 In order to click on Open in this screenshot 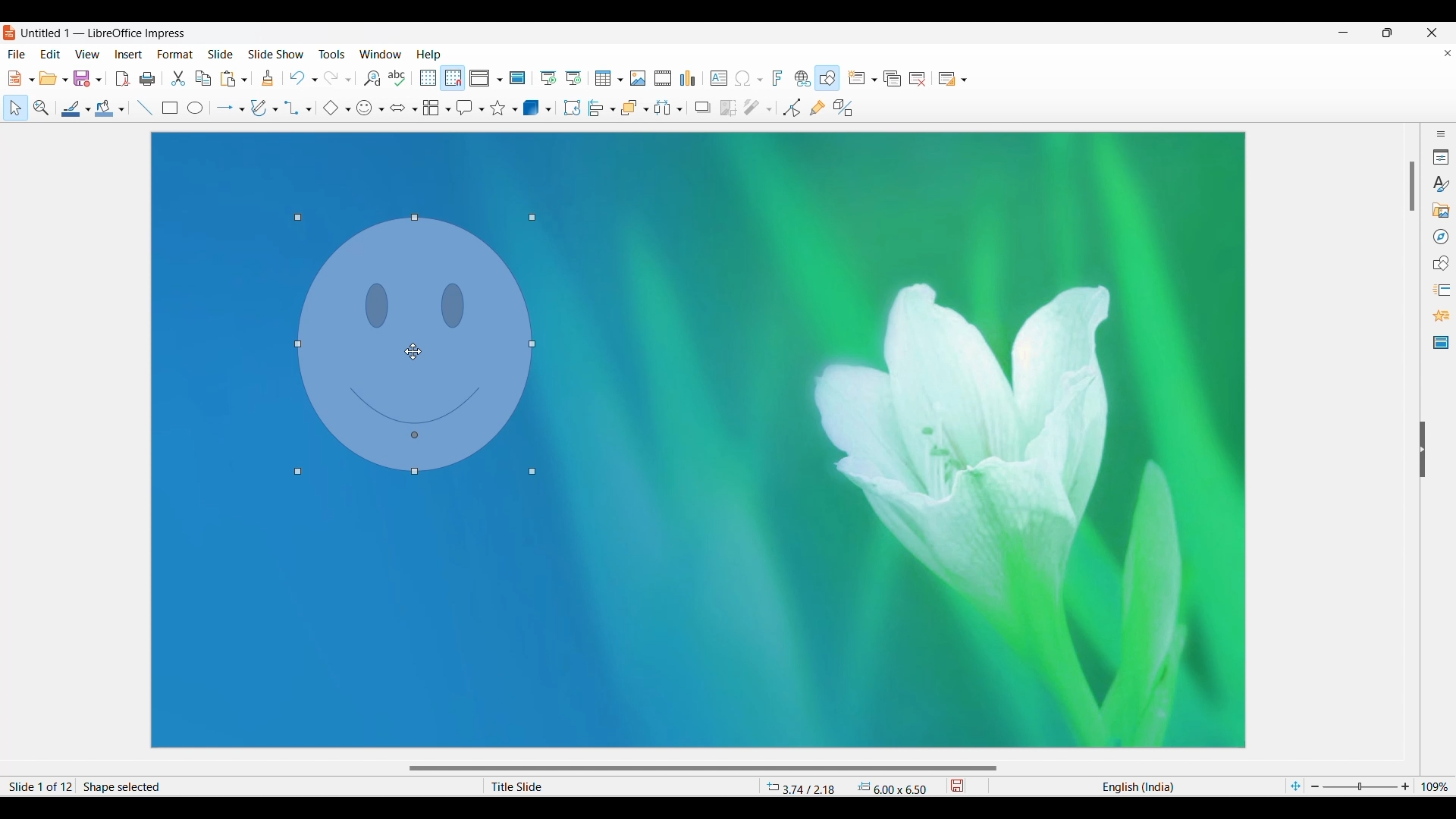, I will do `click(49, 78)`.